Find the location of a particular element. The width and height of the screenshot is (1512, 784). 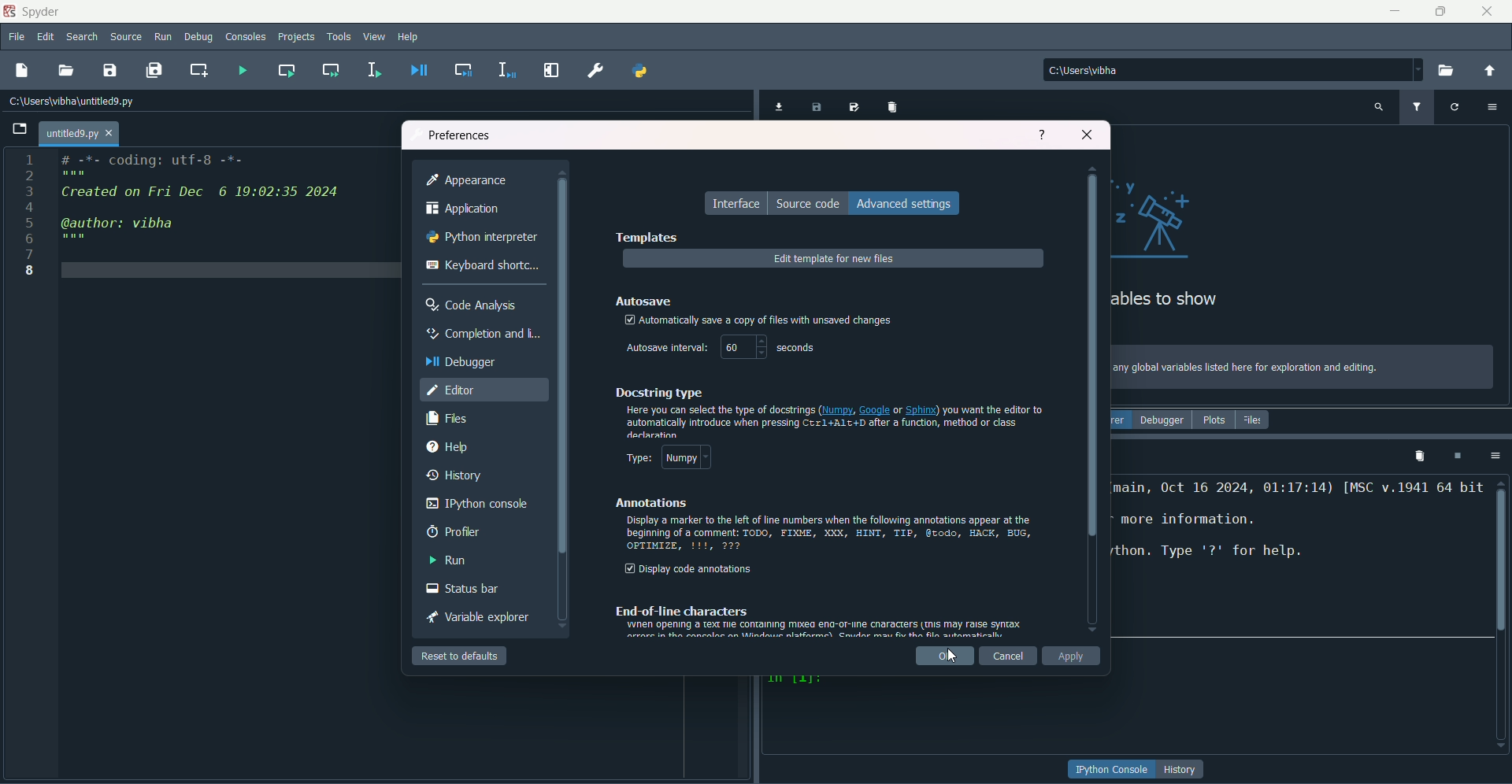

ipython console is located at coordinates (478, 504).